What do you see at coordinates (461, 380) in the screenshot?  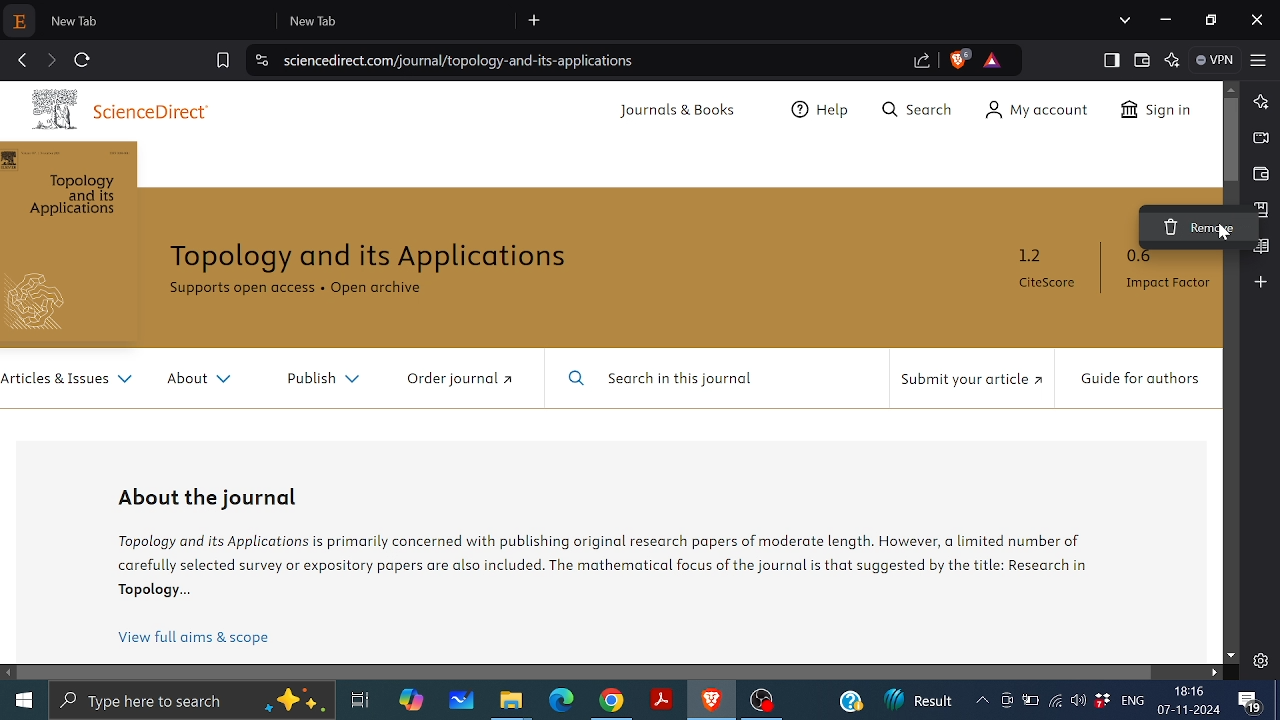 I see `Order journal` at bounding box center [461, 380].